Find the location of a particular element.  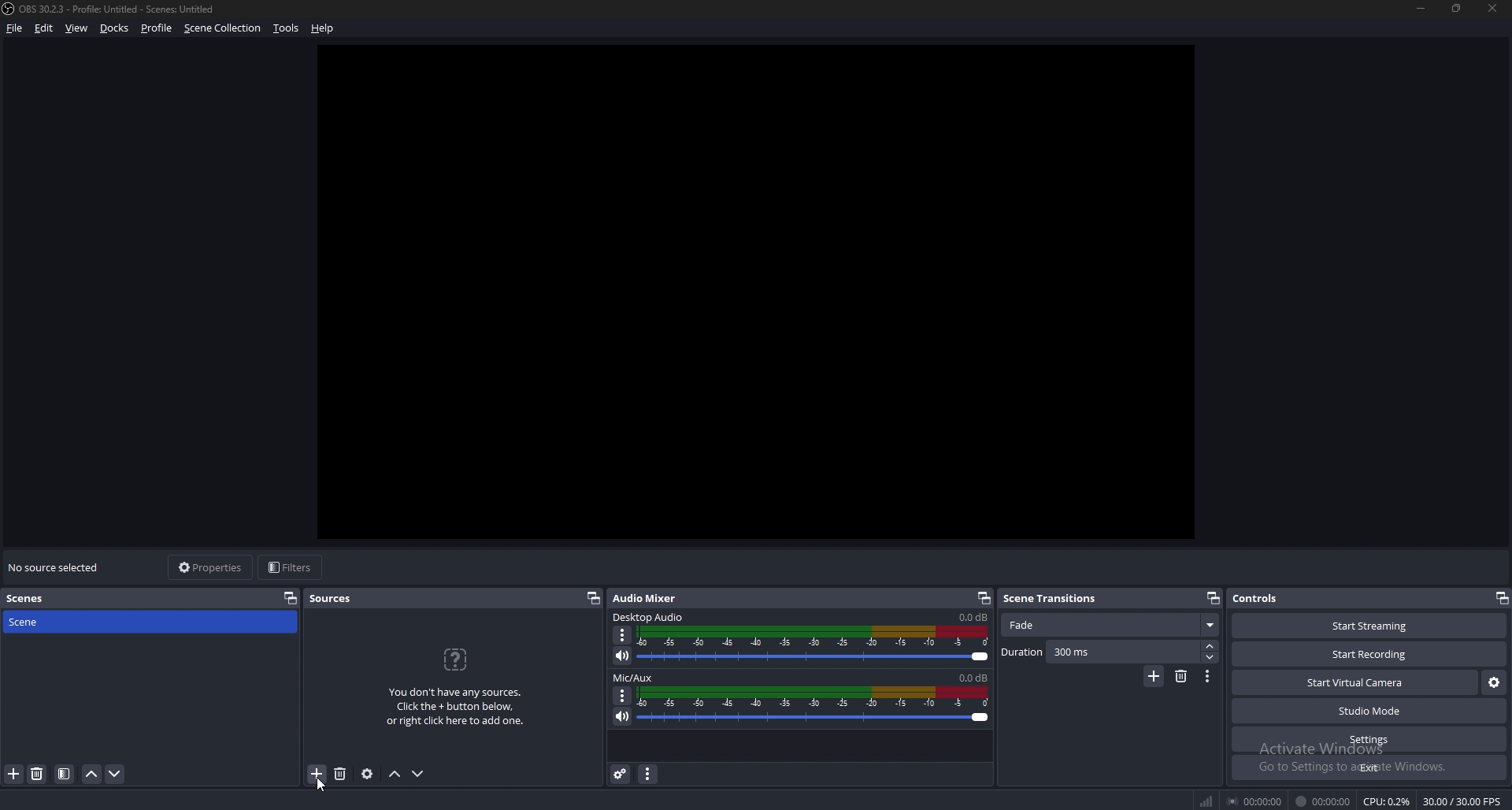

mic/aux is located at coordinates (636, 678).